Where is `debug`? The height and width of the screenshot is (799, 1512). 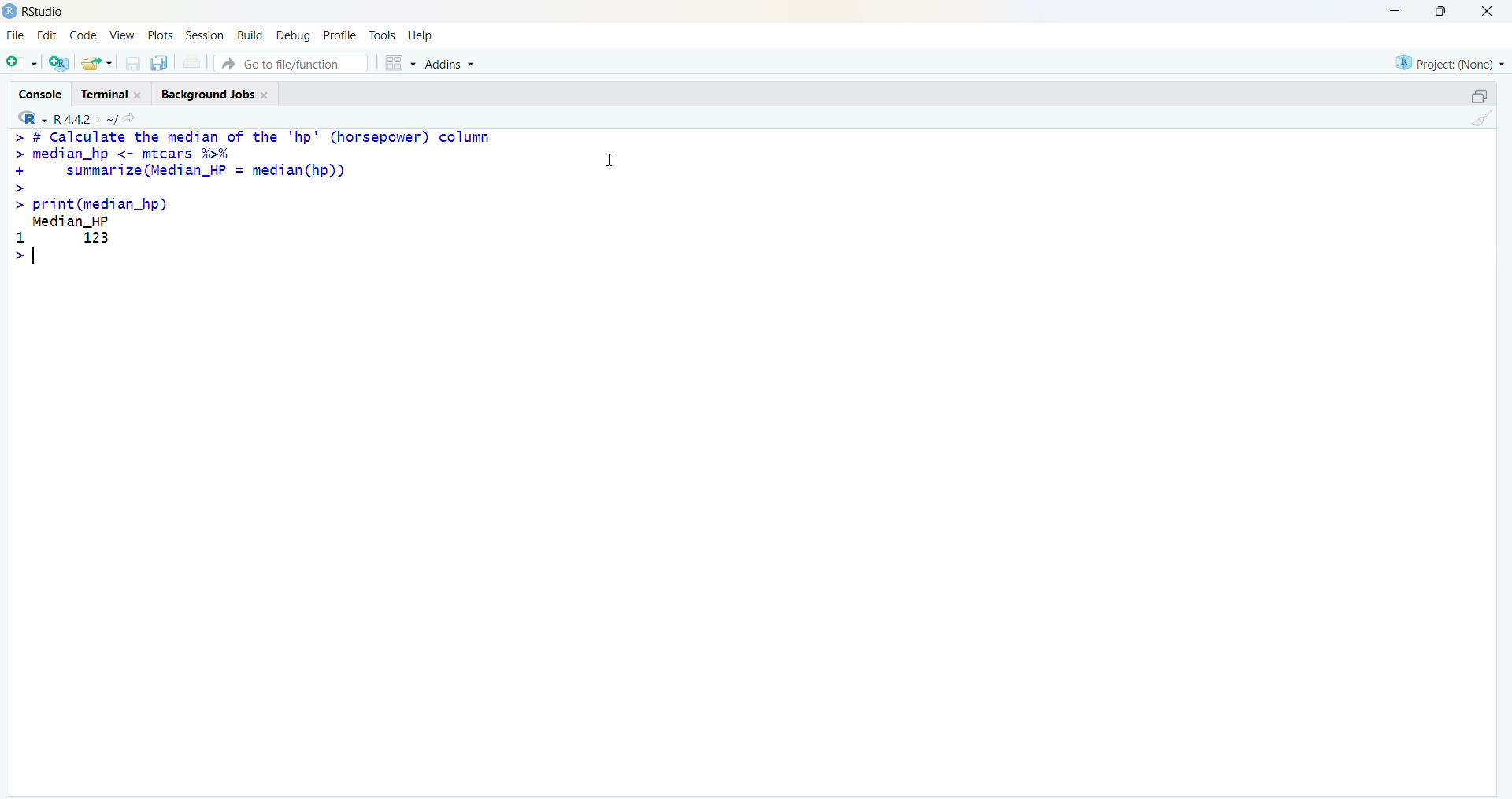
debug is located at coordinates (293, 37).